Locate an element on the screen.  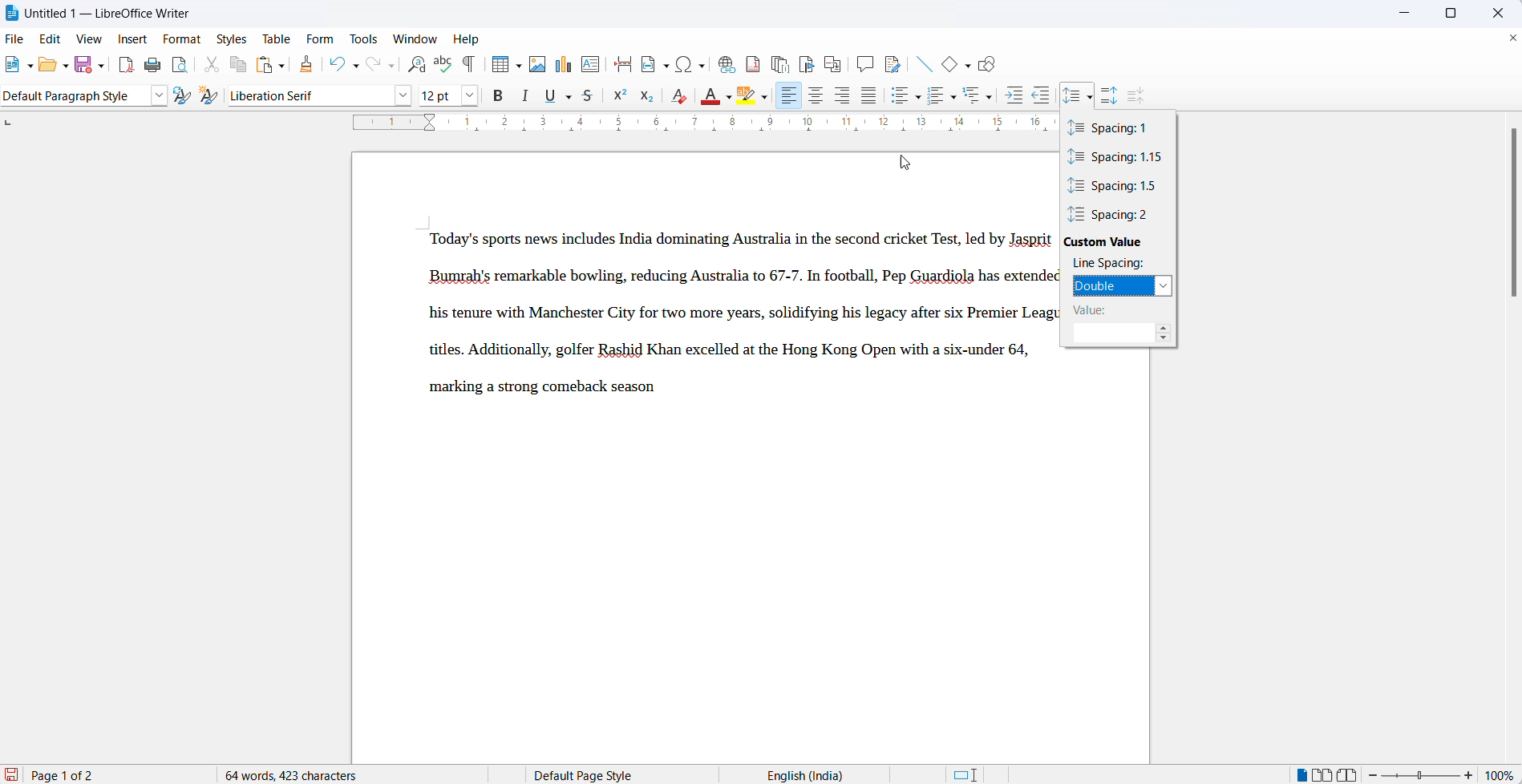
decrease paragraph spacing is located at coordinates (1137, 95).